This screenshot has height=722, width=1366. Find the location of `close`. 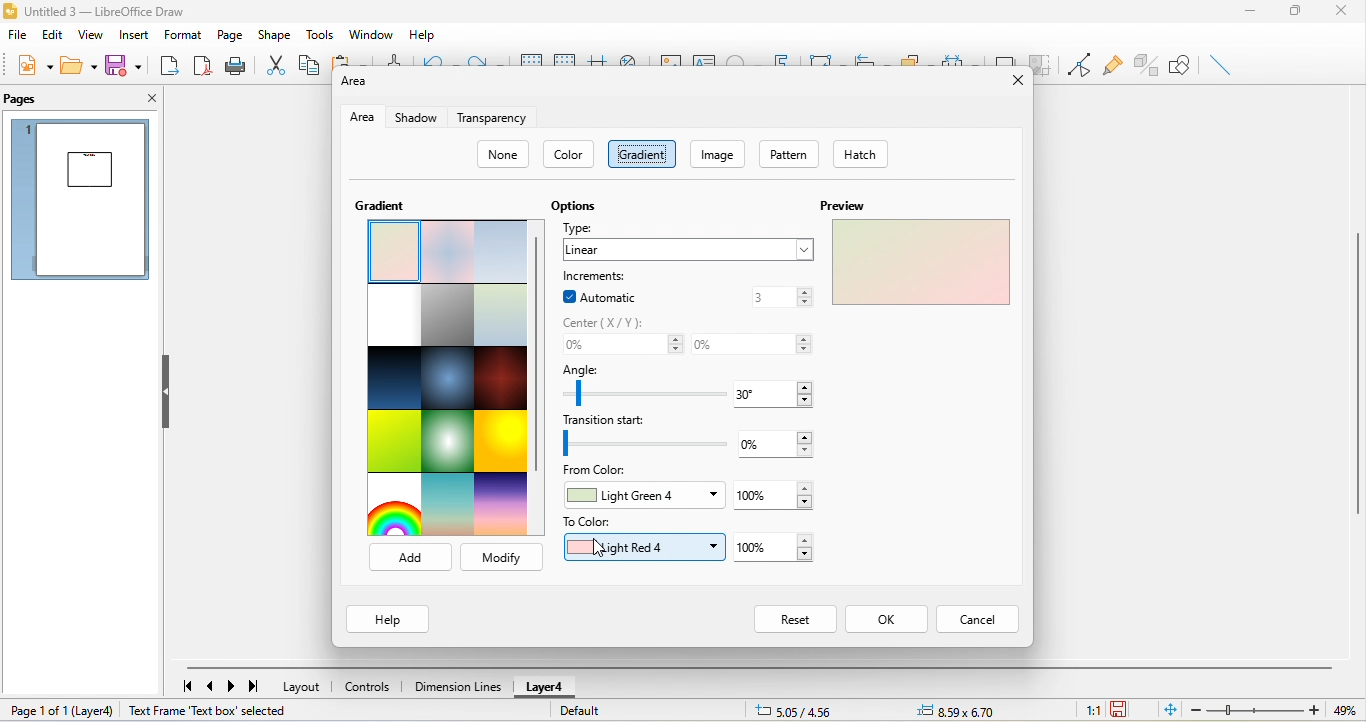

close is located at coordinates (146, 101).